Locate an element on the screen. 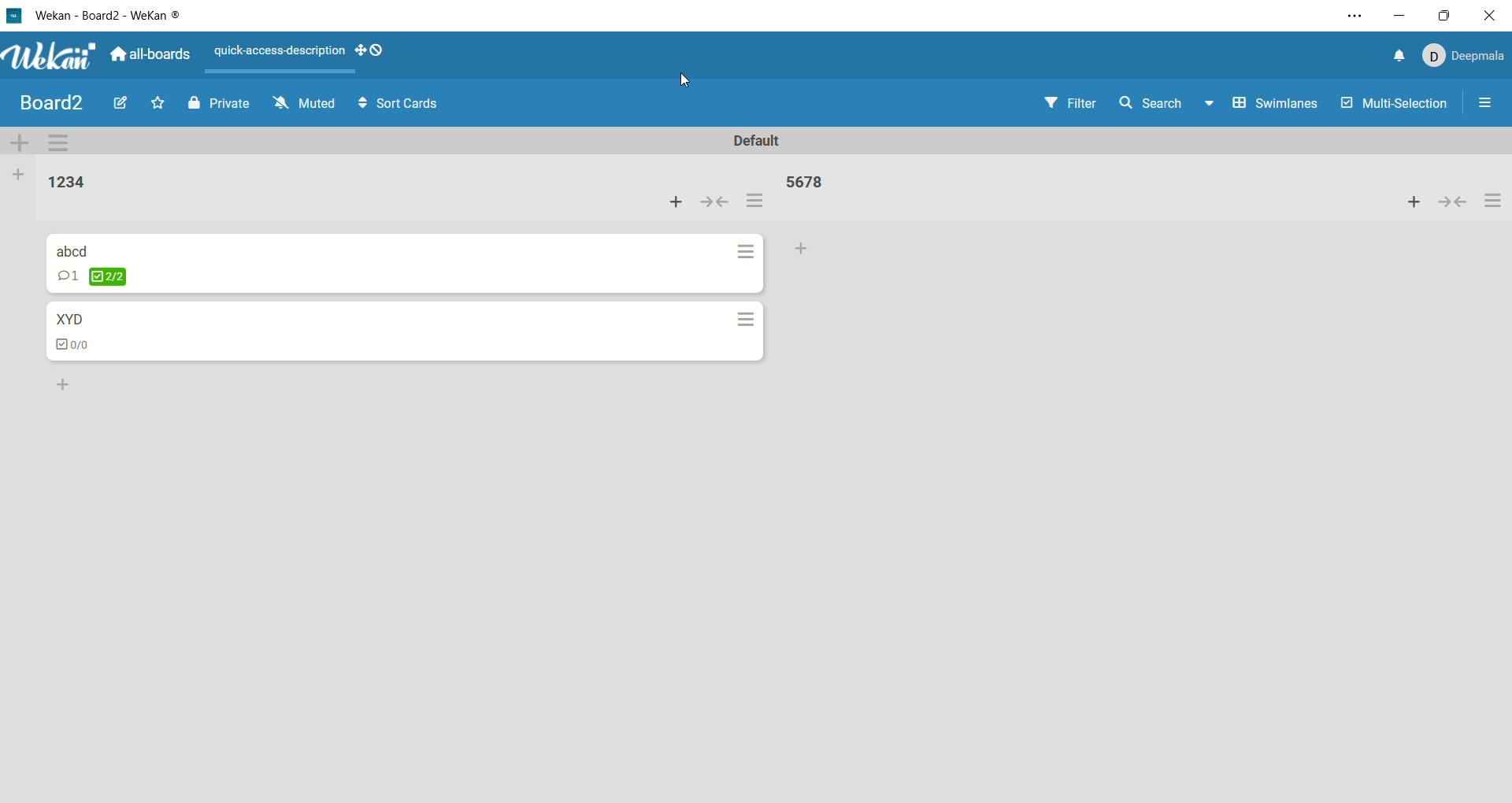  logo is located at coordinates (16, 15).